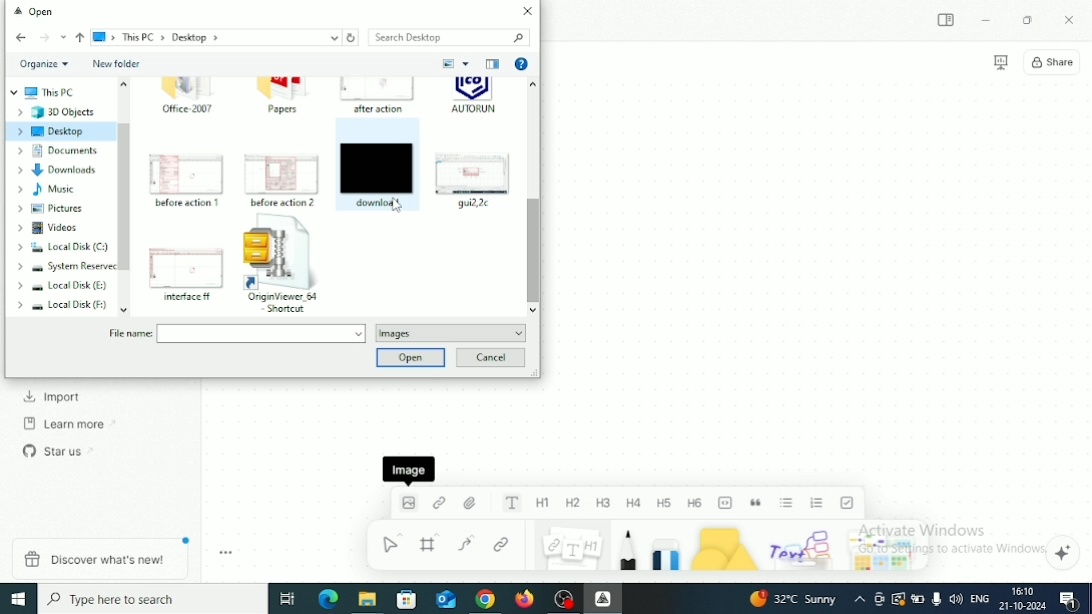 This screenshot has height=614, width=1092. Describe the element at coordinates (58, 151) in the screenshot. I see `Documents` at that location.